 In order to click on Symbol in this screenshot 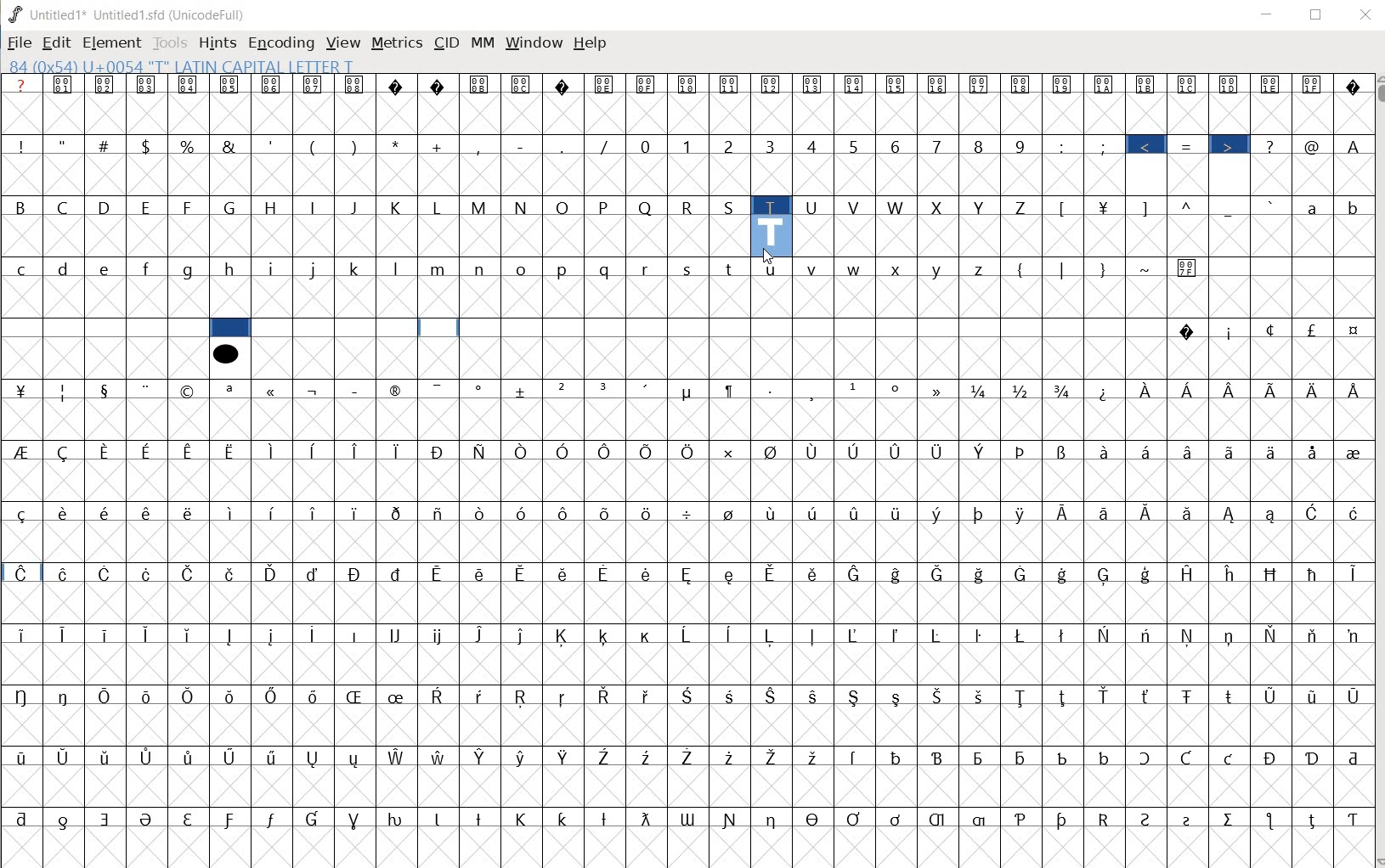, I will do `click(65, 85)`.